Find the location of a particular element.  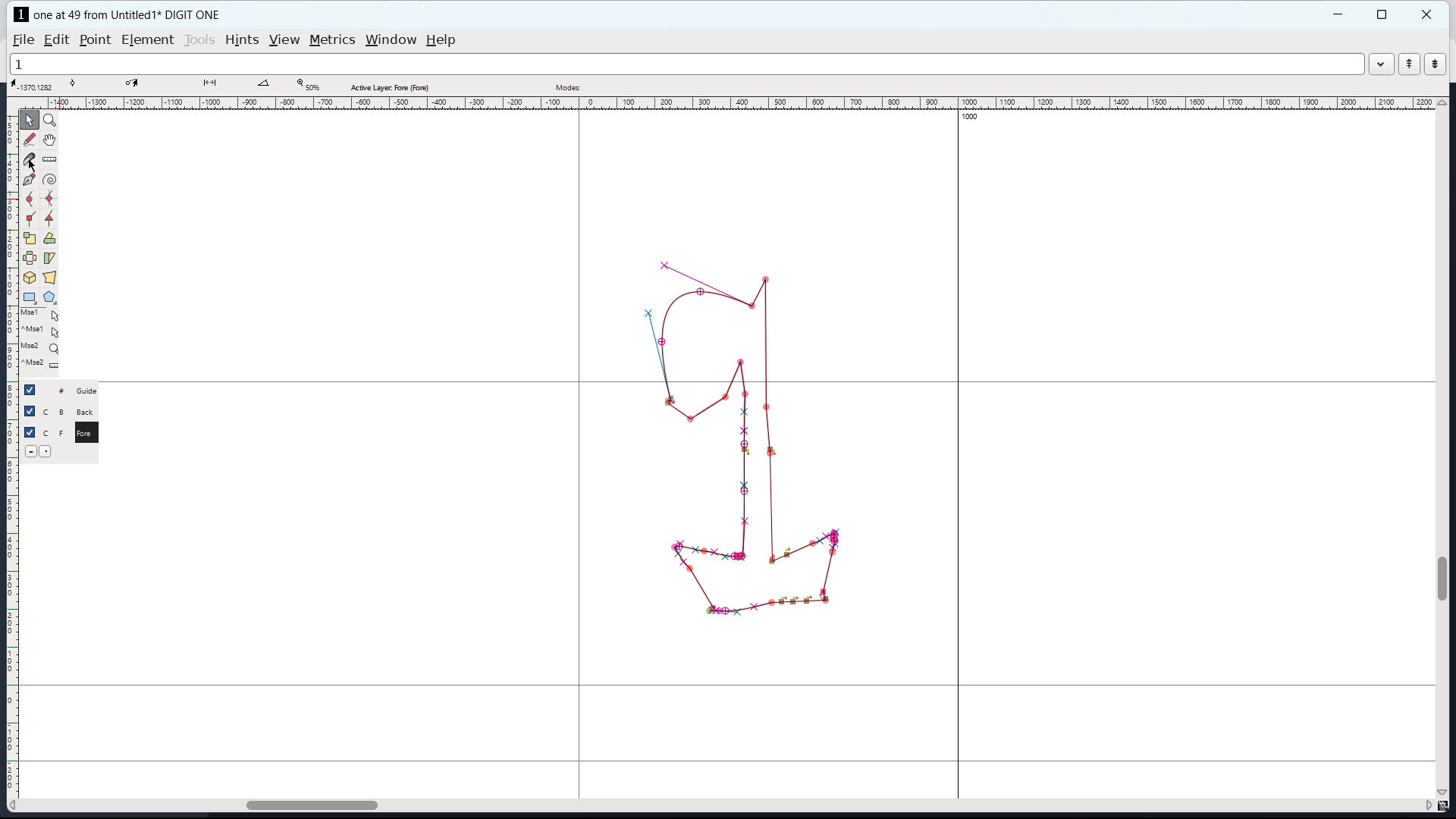

scroll down is located at coordinates (1443, 792).